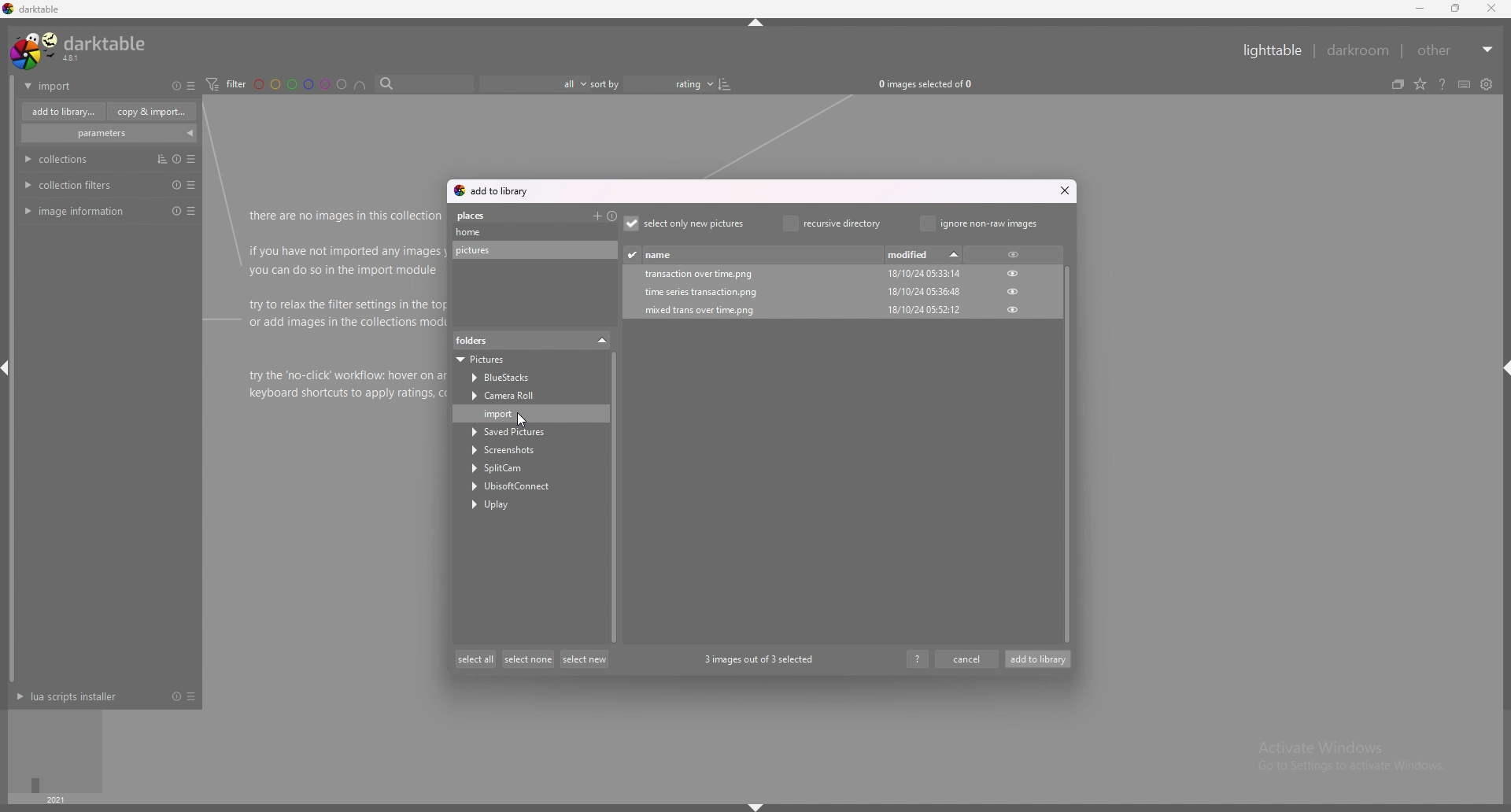  I want to click on time series transaction.png, so click(749, 291).